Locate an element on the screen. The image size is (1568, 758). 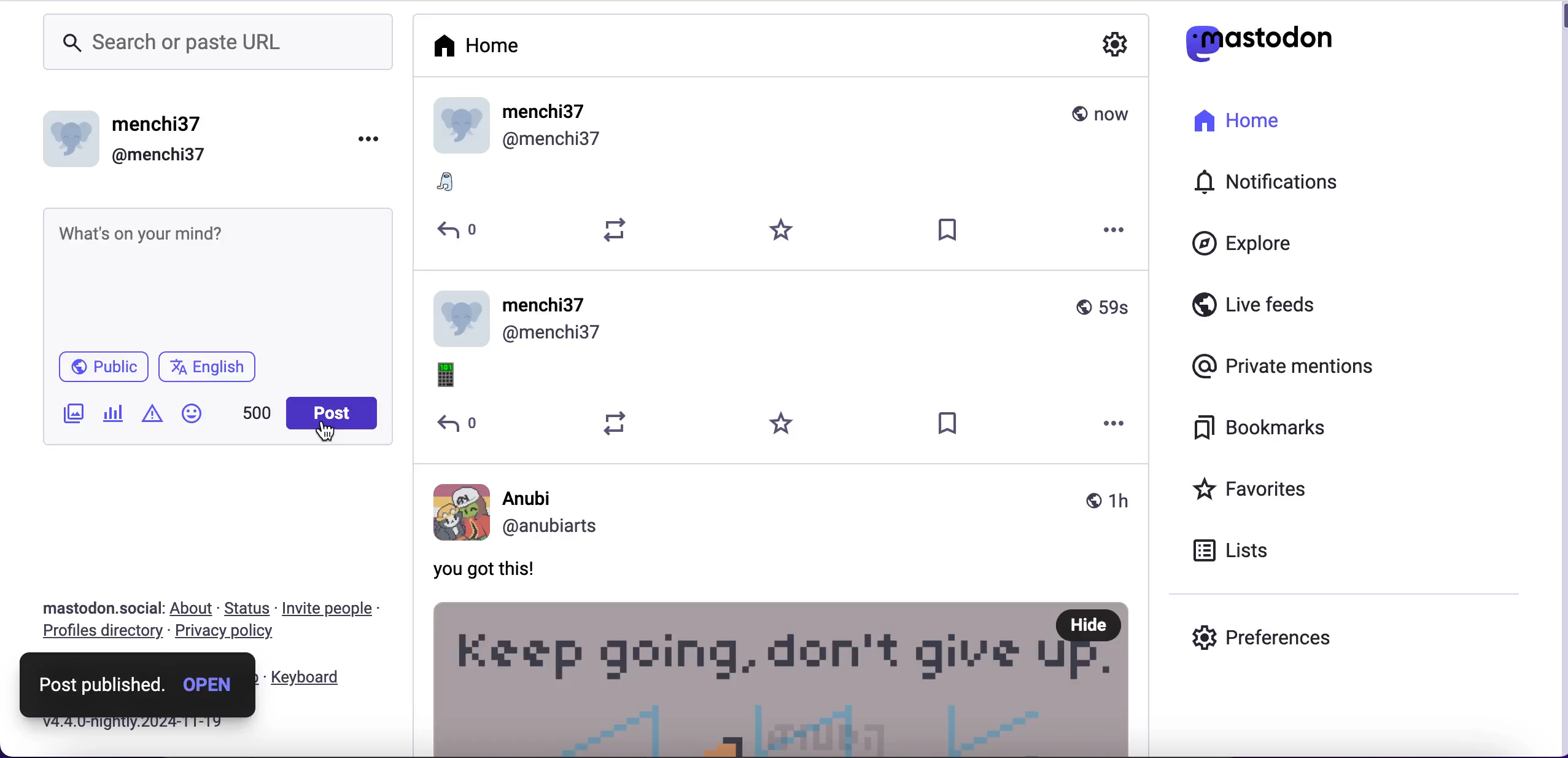
add emoji is located at coordinates (192, 413).